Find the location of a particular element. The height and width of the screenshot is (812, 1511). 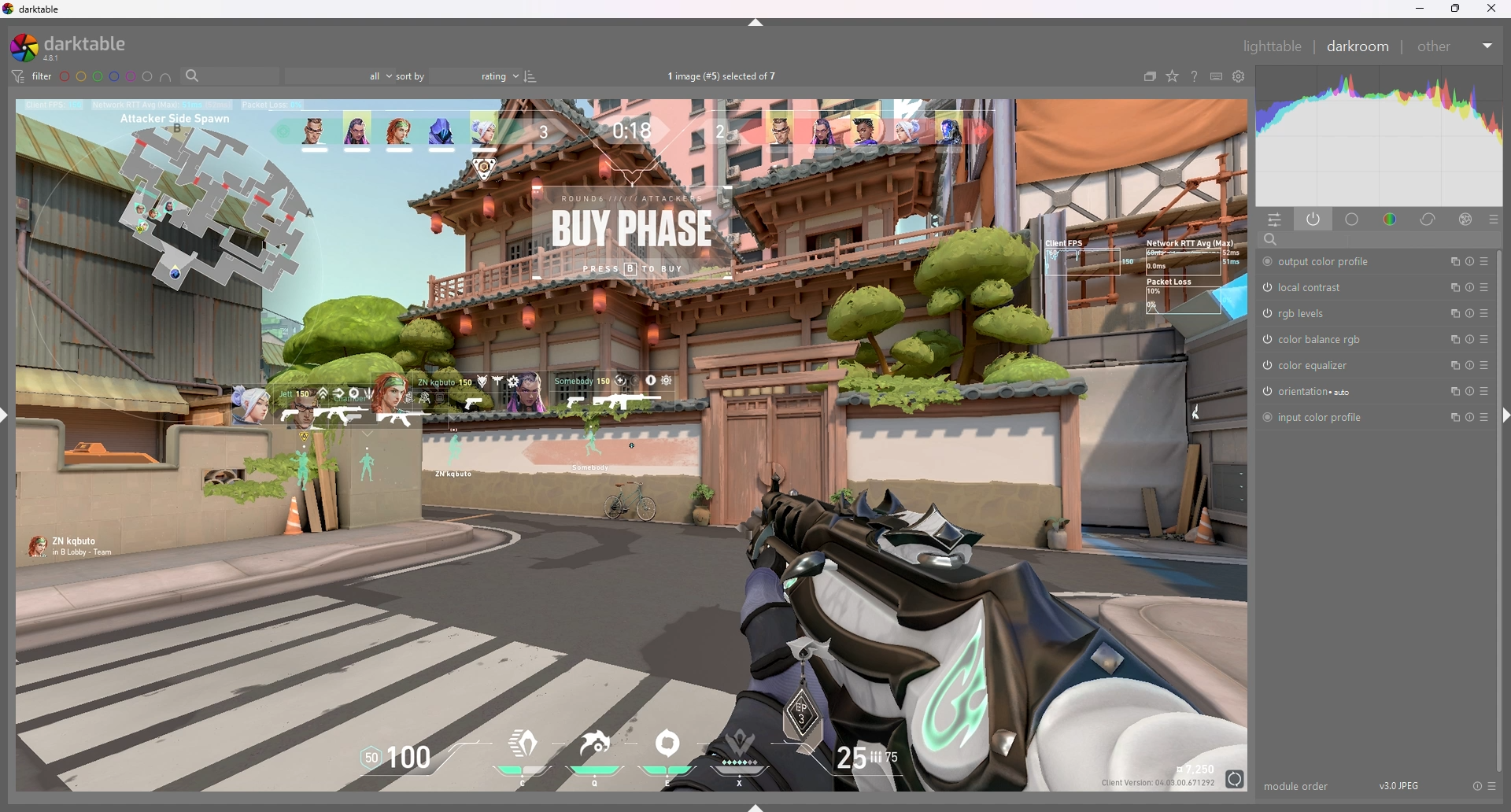

multiple instances action is located at coordinates (1454, 313).